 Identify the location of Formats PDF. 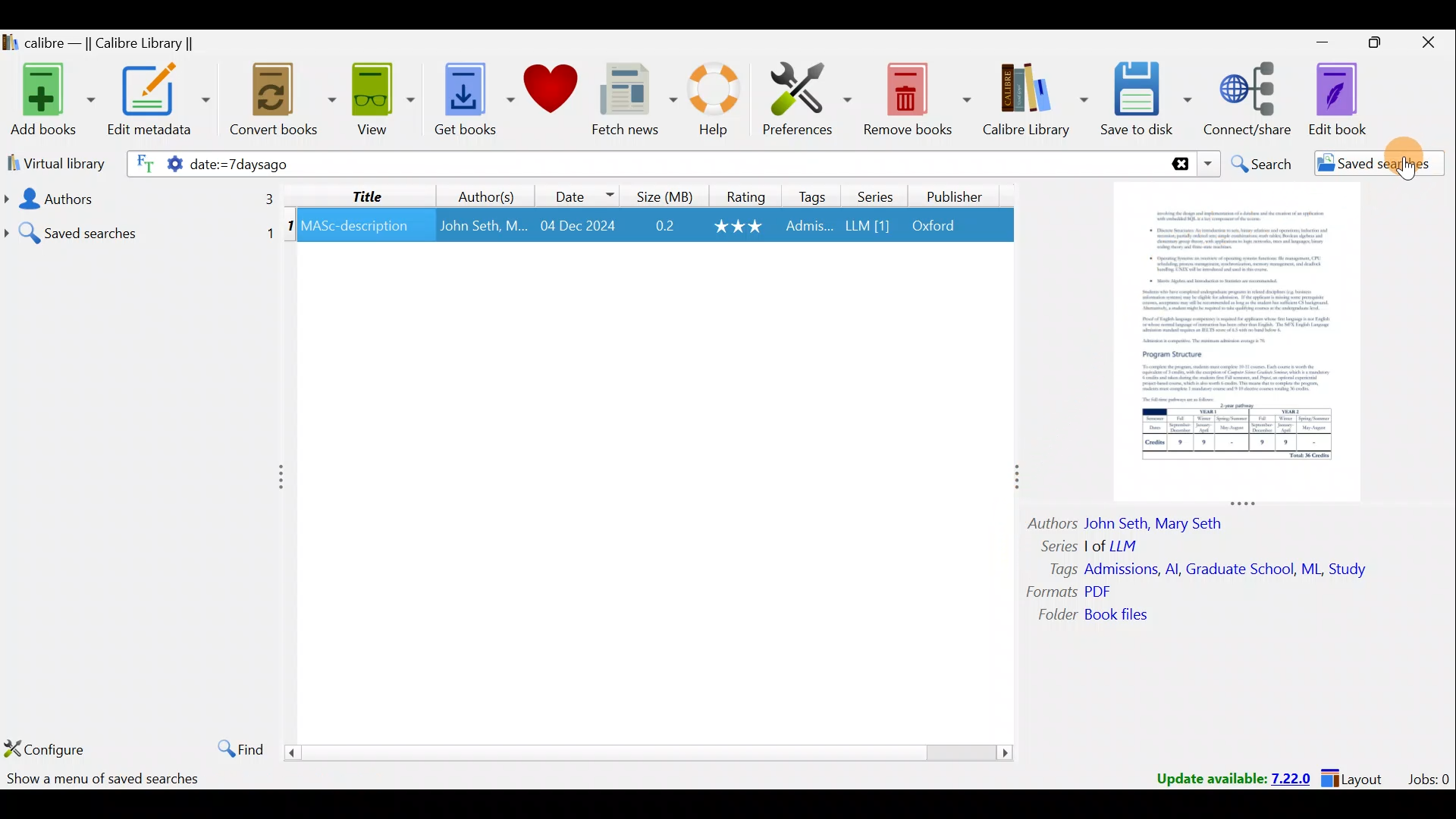
(1069, 591).